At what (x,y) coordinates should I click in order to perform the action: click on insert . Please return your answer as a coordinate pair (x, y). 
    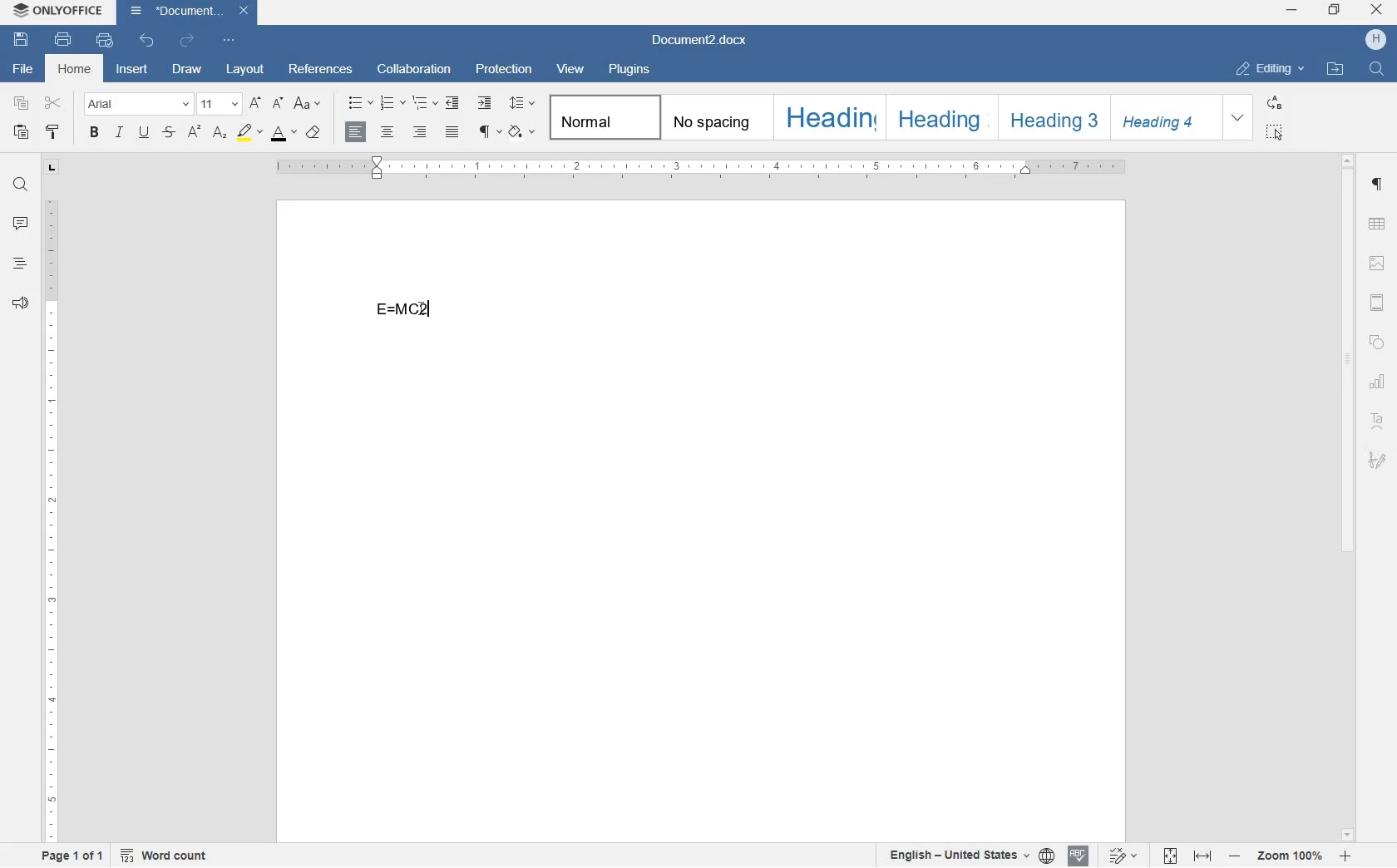
    Looking at the image, I should click on (131, 71).